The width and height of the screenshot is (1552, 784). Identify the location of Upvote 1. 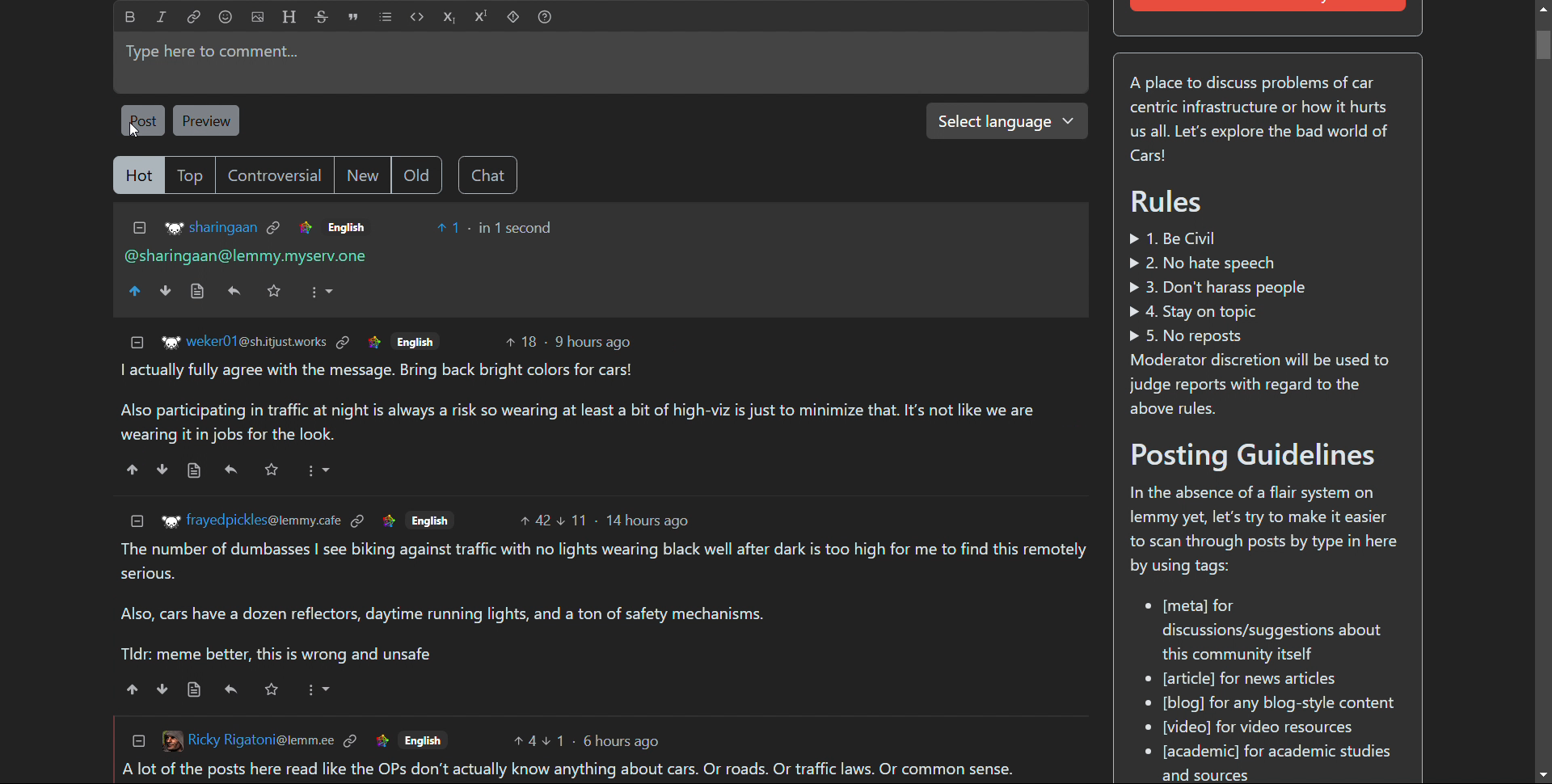
(449, 226).